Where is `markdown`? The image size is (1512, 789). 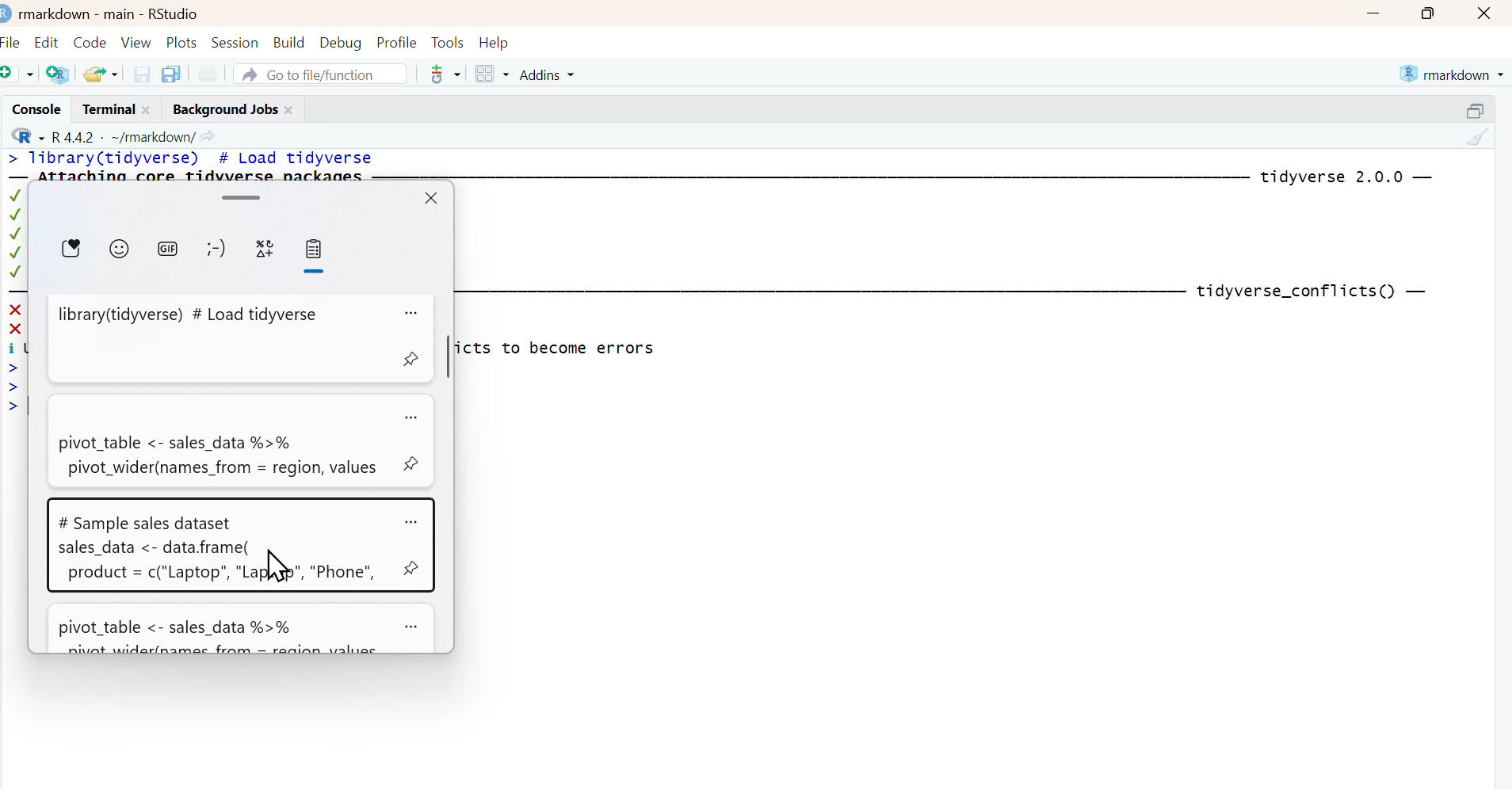 markdown is located at coordinates (1454, 72).